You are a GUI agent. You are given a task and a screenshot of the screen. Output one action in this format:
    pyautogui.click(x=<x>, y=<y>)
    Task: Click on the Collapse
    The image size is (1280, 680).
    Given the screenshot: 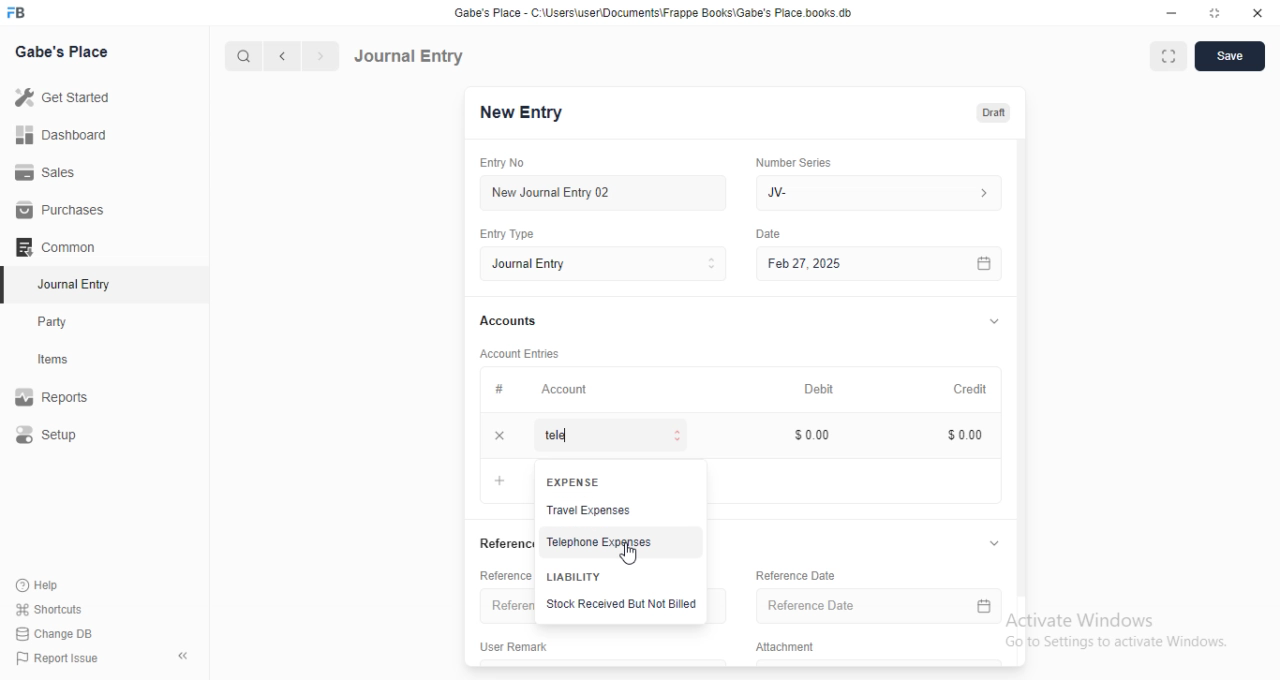 What is the action you would take?
    pyautogui.click(x=184, y=656)
    